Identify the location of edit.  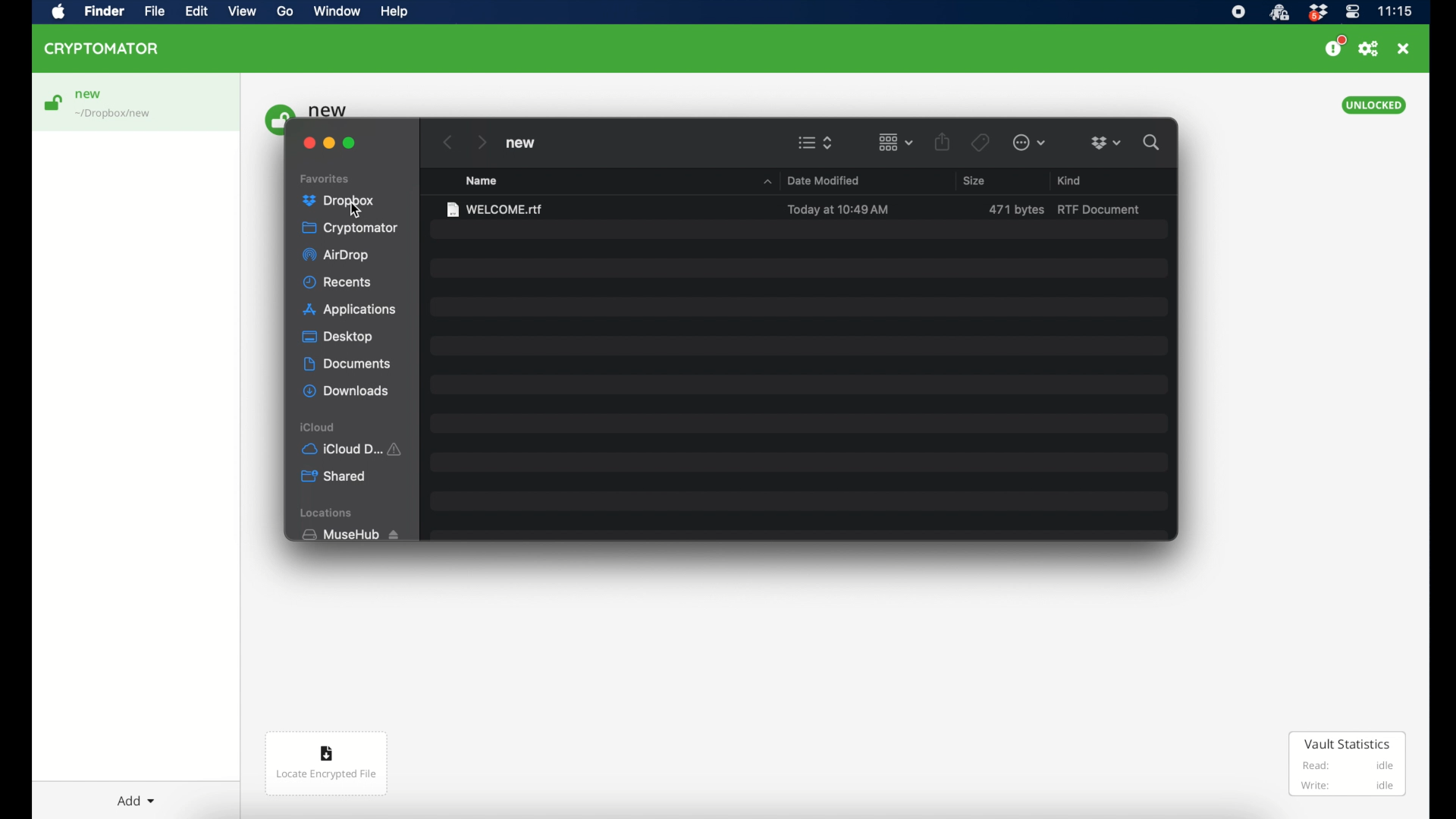
(196, 11).